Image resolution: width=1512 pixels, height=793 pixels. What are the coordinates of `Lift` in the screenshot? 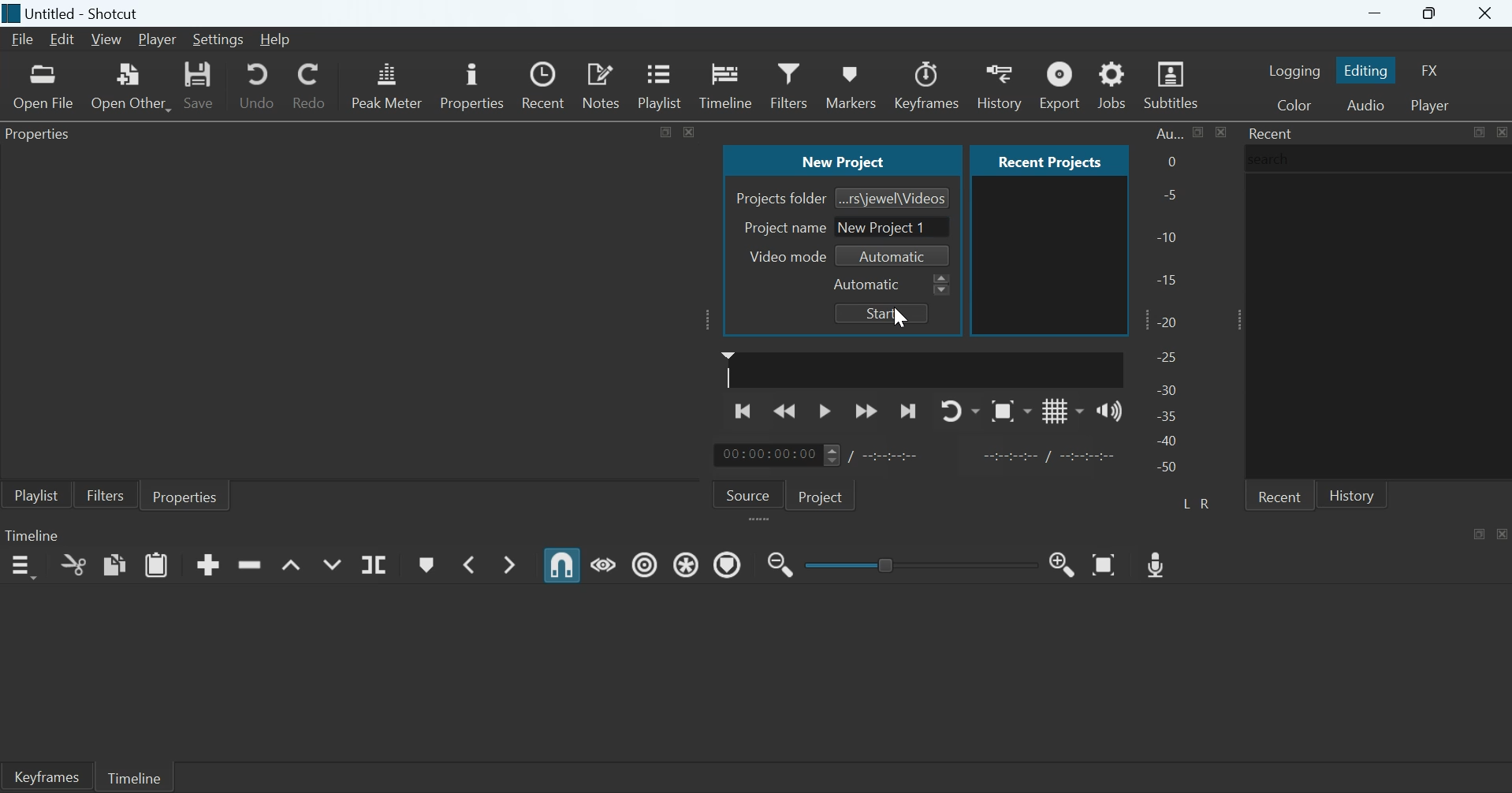 It's located at (292, 566).